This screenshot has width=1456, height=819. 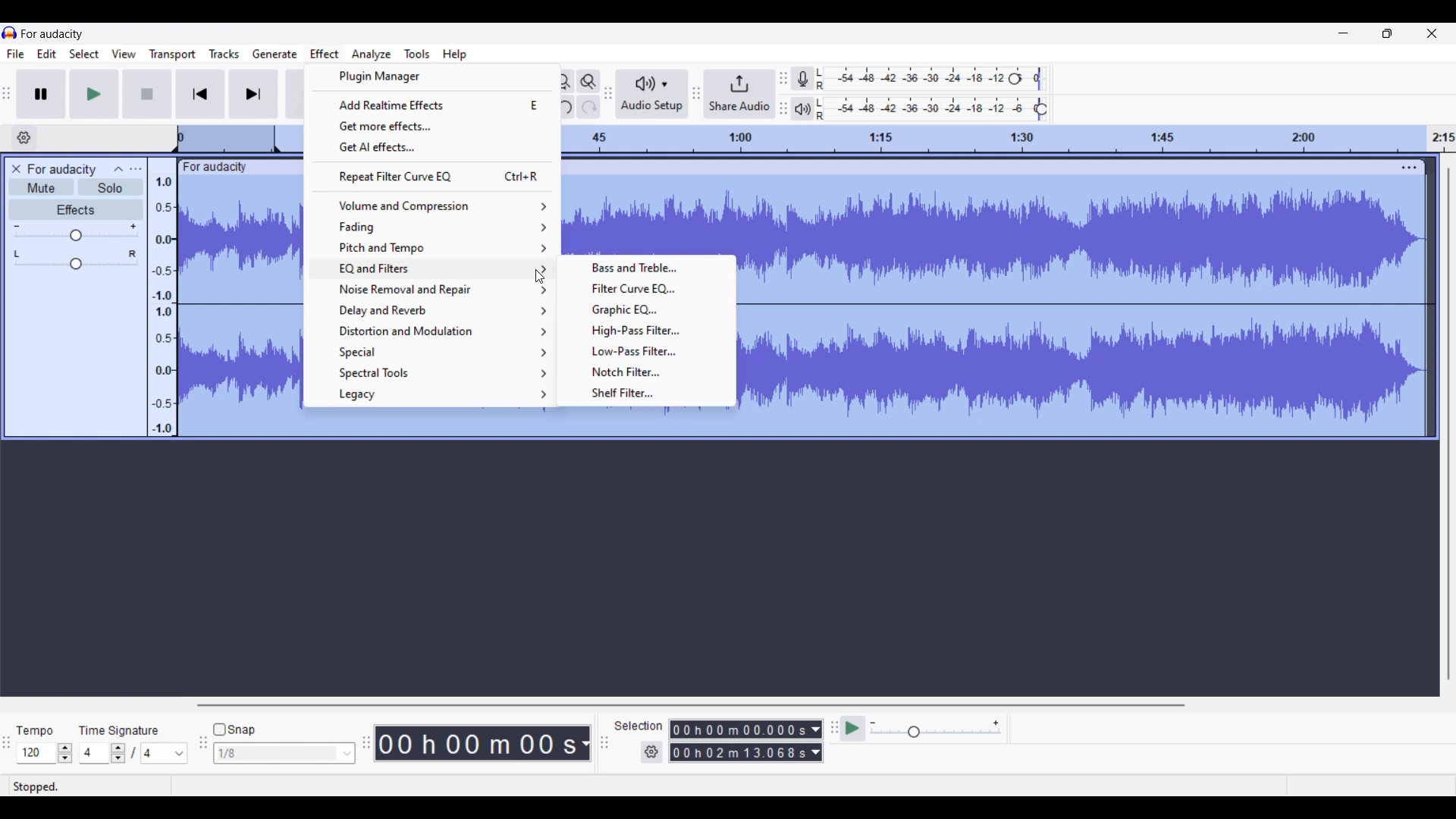 I want to click on Pause, so click(x=41, y=93).